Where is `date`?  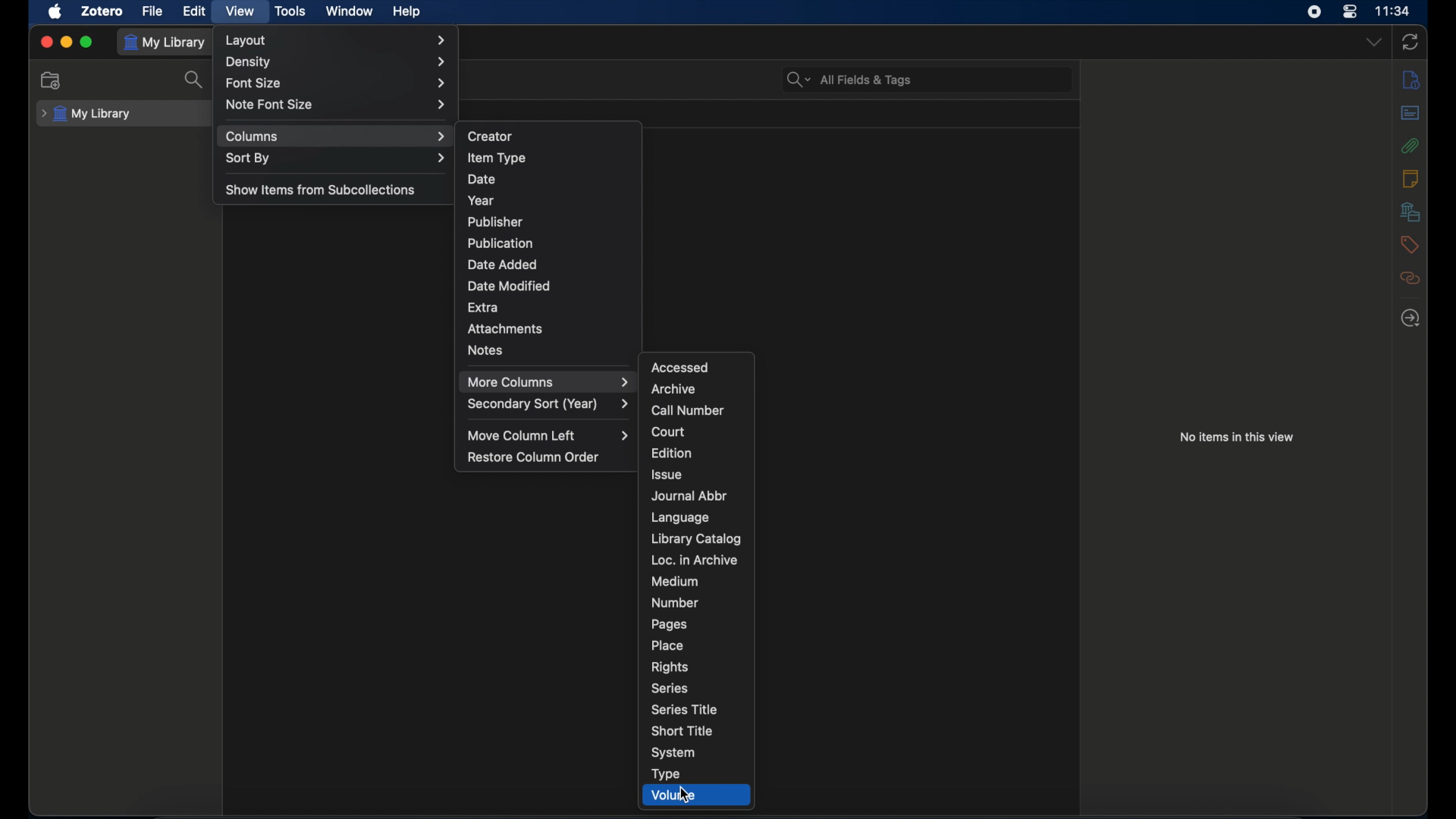
date is located at coordinates (482, 179).